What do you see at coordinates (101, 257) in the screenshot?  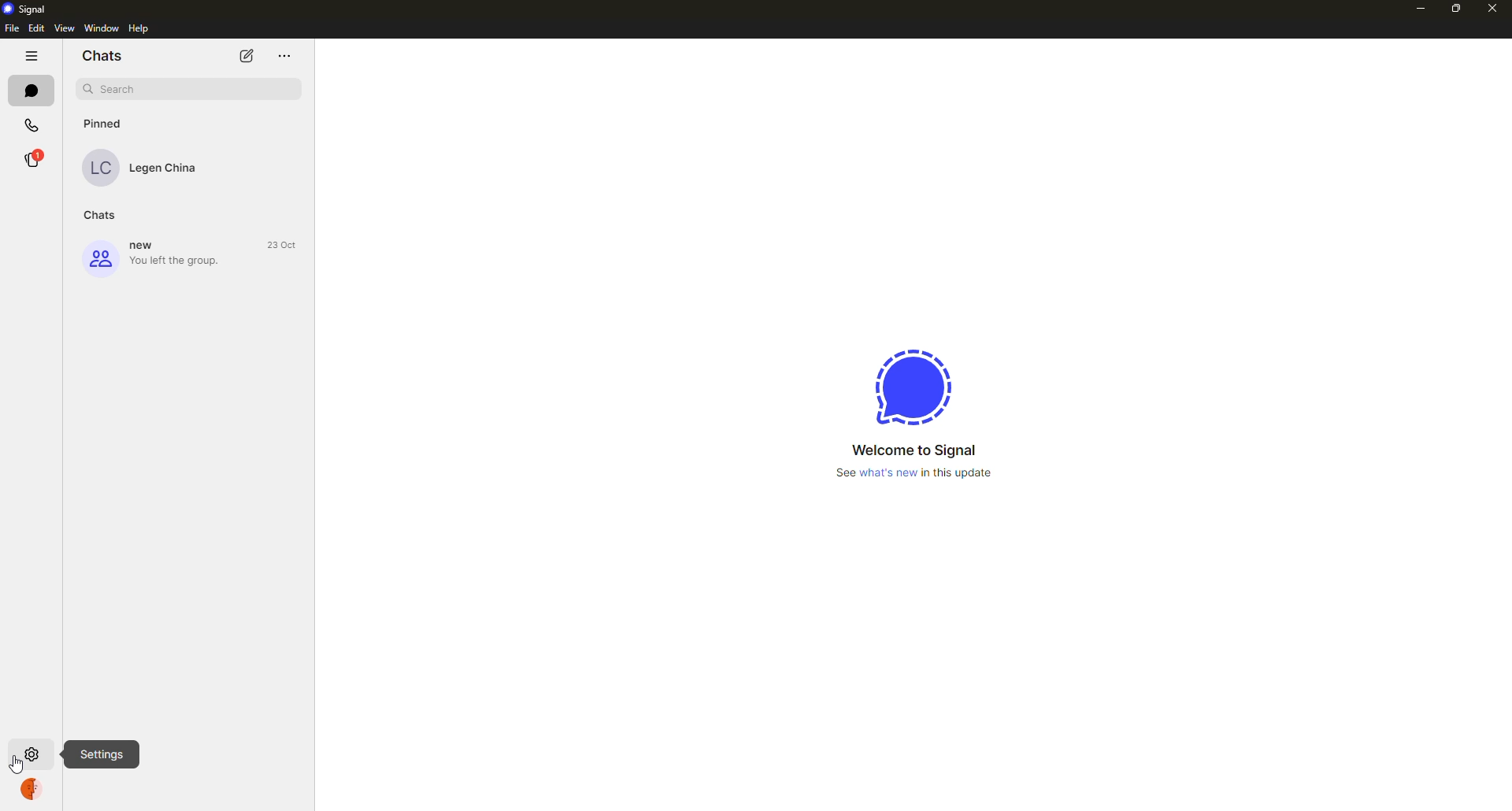 I see `group icon` at bounding box center [101, 257].